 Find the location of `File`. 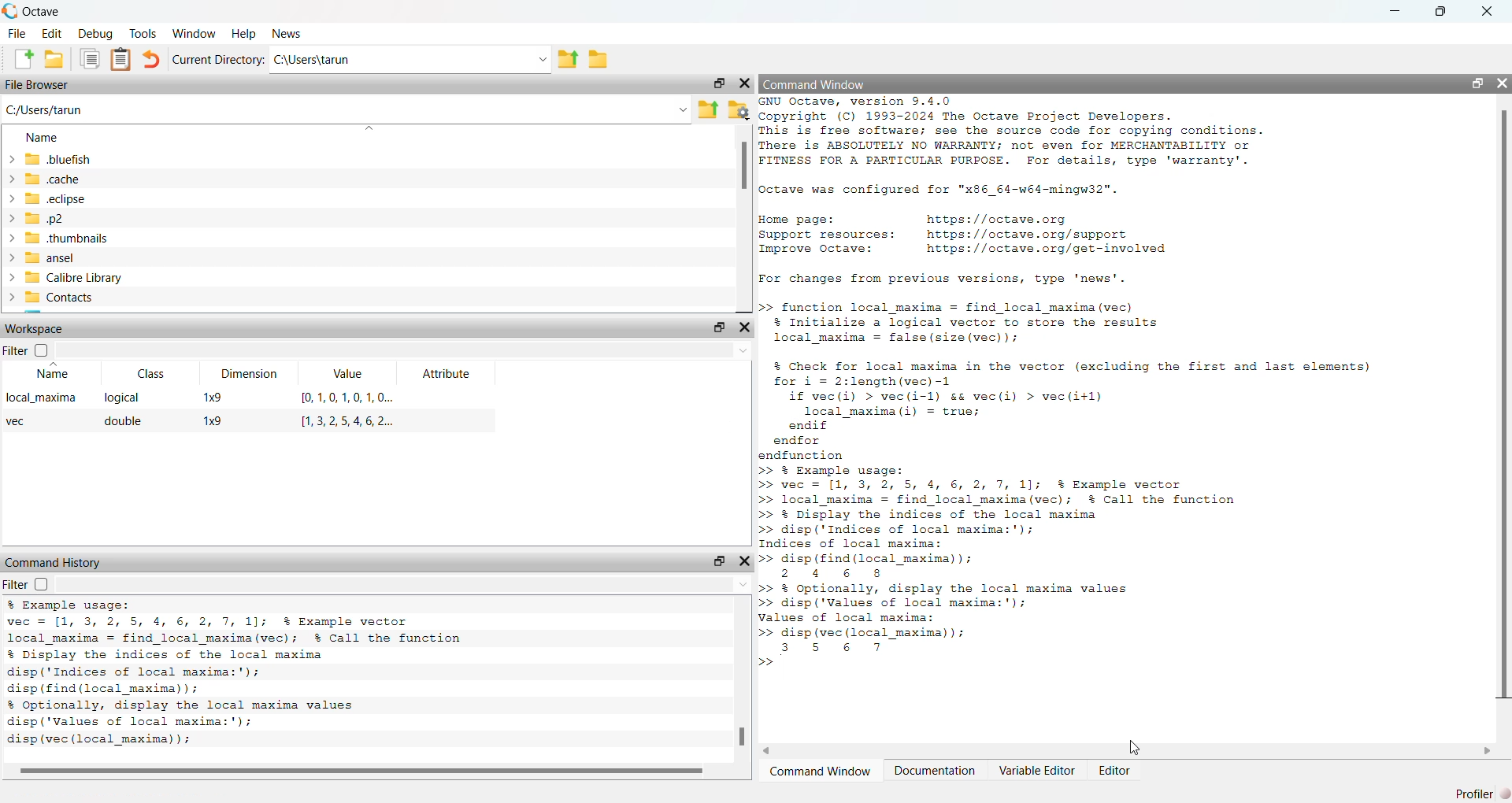

File is located at coordinates (17, 33).